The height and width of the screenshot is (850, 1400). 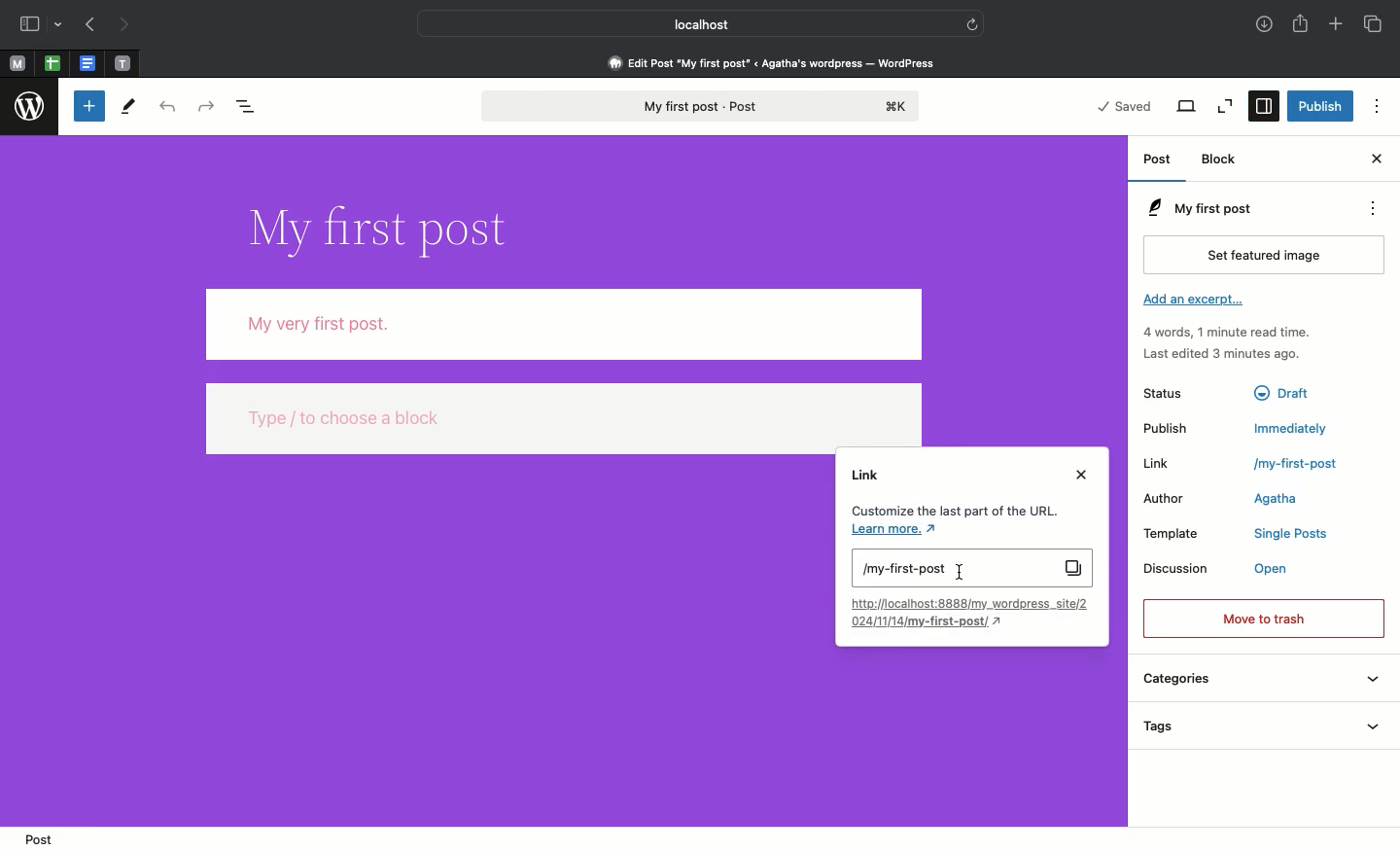 What do you see at coordinates (1264, 24) in the screenshot?
I see `Downloads` at bounding box center [1264, 24].